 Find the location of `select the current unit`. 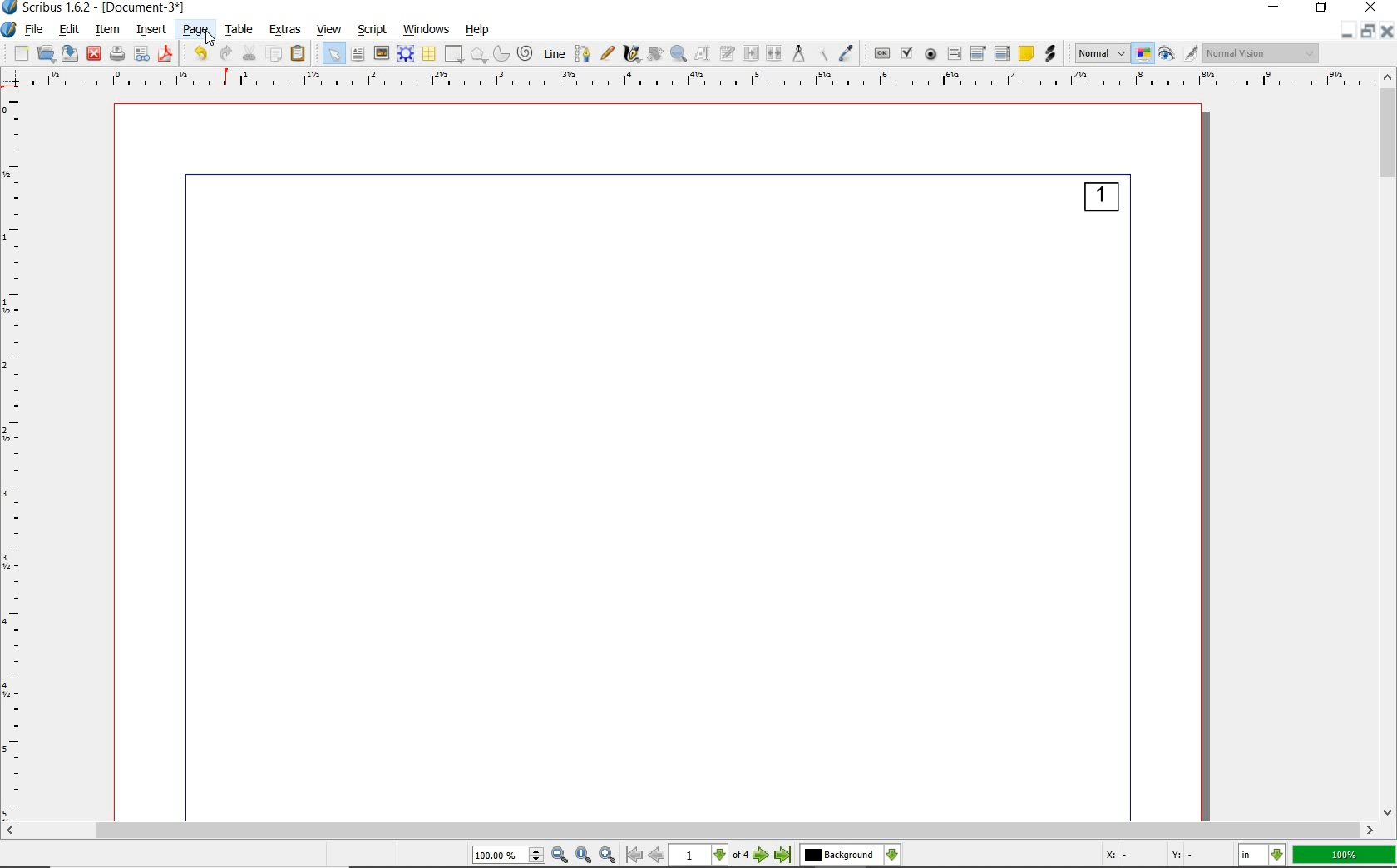

select the current unit is located at coordinates (1262, 854).